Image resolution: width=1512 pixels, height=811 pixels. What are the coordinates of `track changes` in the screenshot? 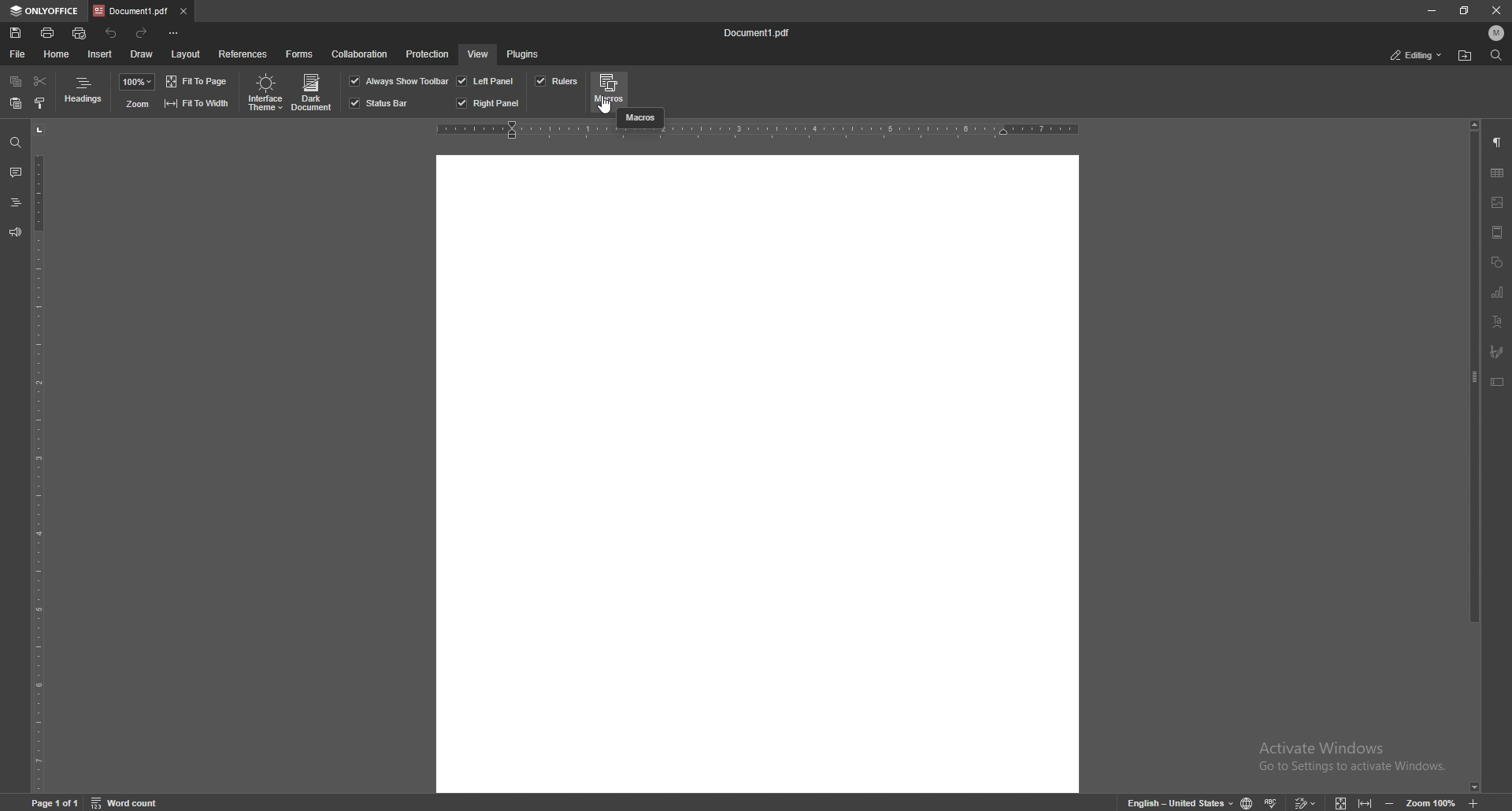 It's located at (1307, 802).